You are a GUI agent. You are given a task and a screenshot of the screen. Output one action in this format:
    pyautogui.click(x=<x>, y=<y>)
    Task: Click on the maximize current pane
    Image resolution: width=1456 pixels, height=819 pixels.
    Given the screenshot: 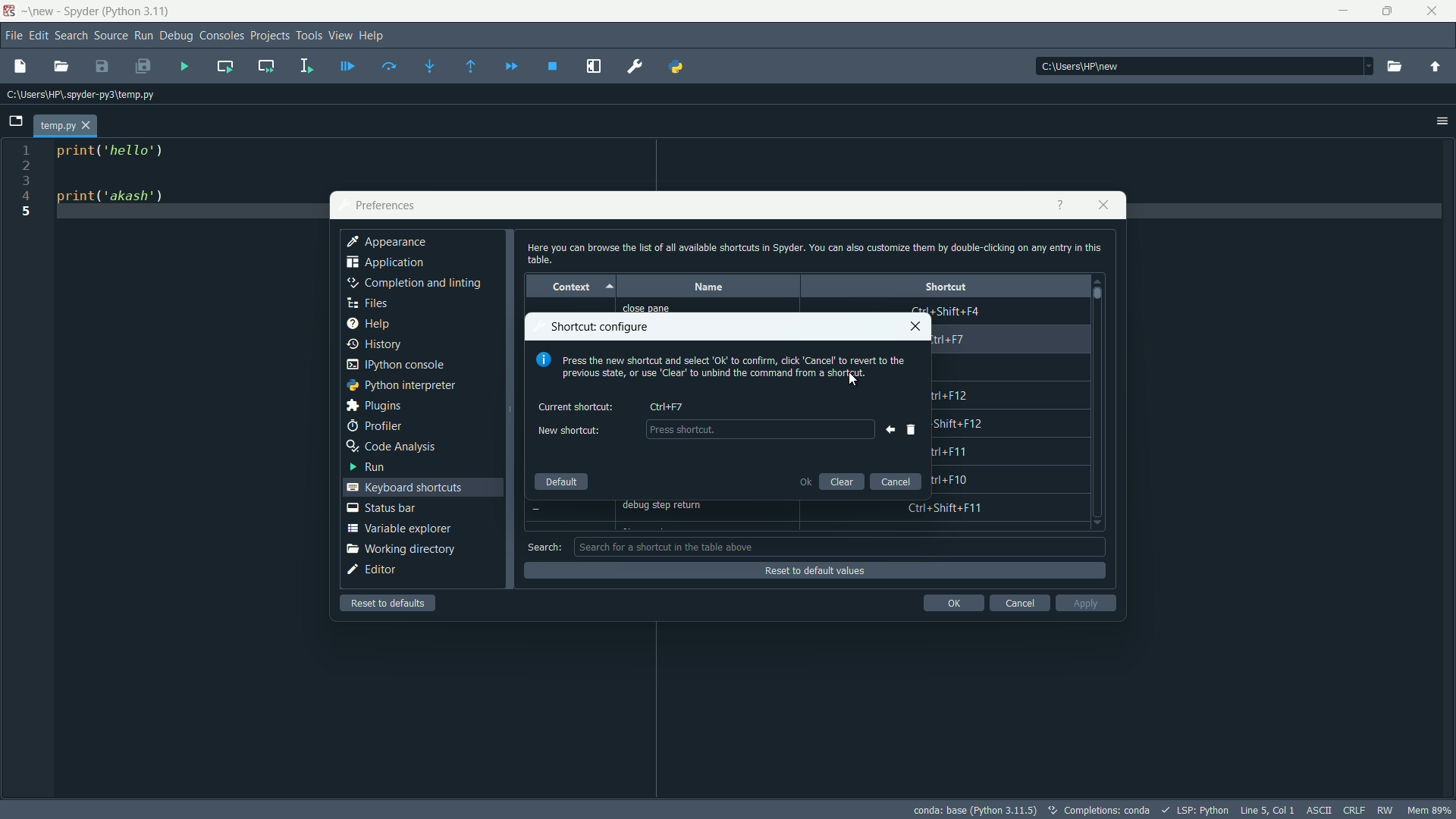 What is the action you would take?
    pyautogui.click(x=594, y=67)
    